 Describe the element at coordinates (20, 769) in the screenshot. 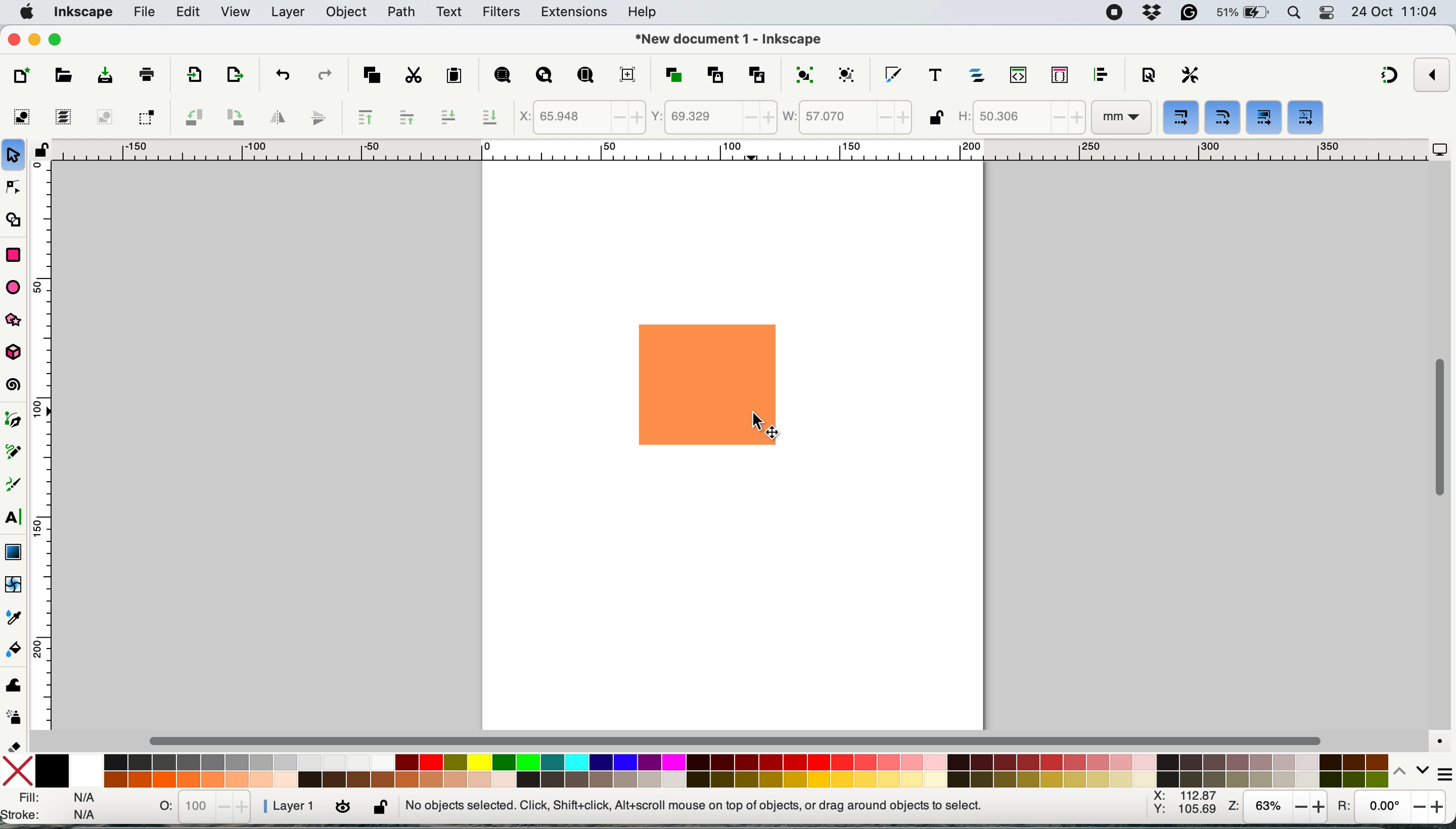

I see `no fill` at that location.